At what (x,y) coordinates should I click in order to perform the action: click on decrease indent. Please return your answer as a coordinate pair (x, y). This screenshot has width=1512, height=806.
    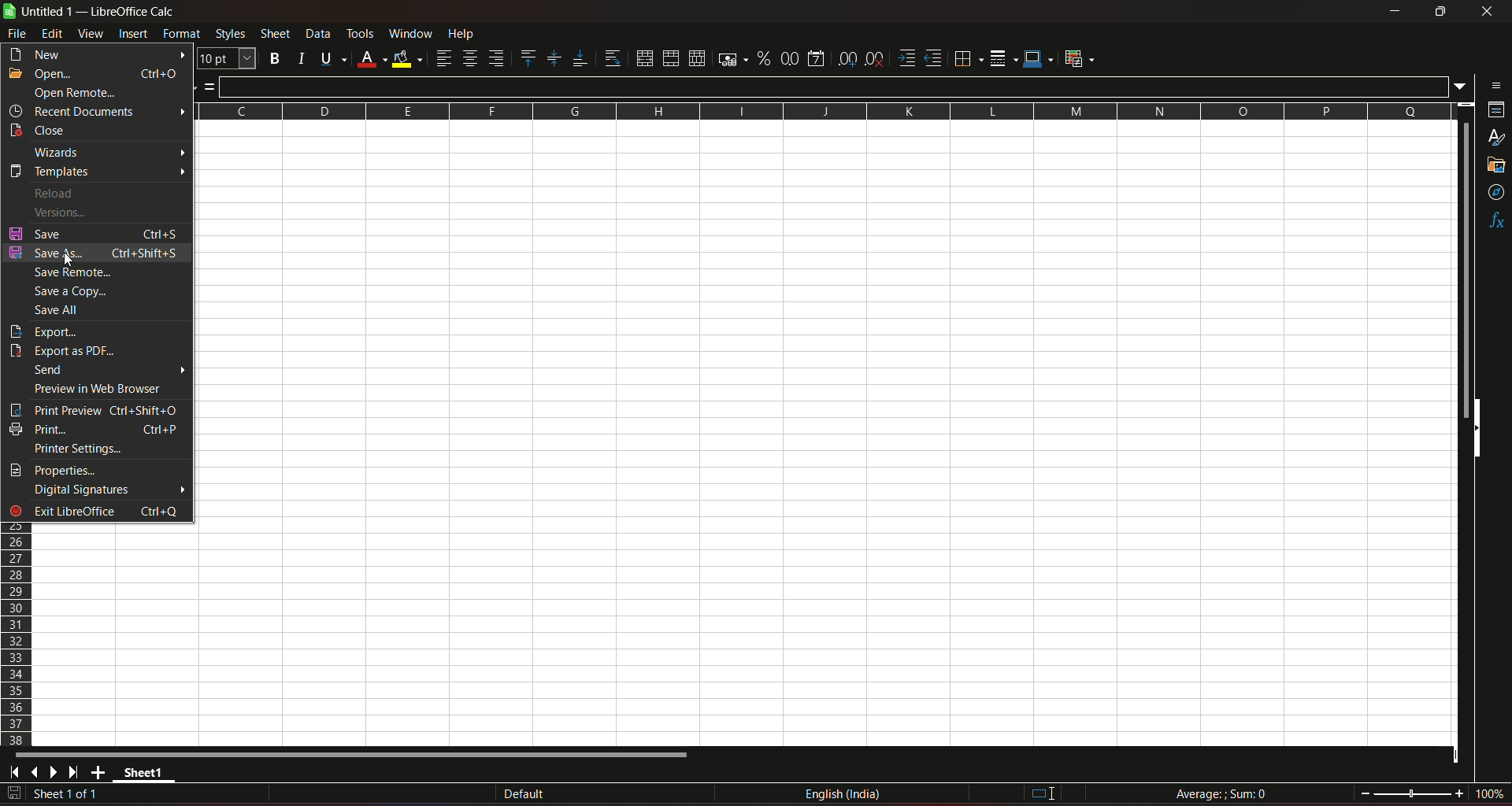
    Looking at the image, I should click on (934, 59).